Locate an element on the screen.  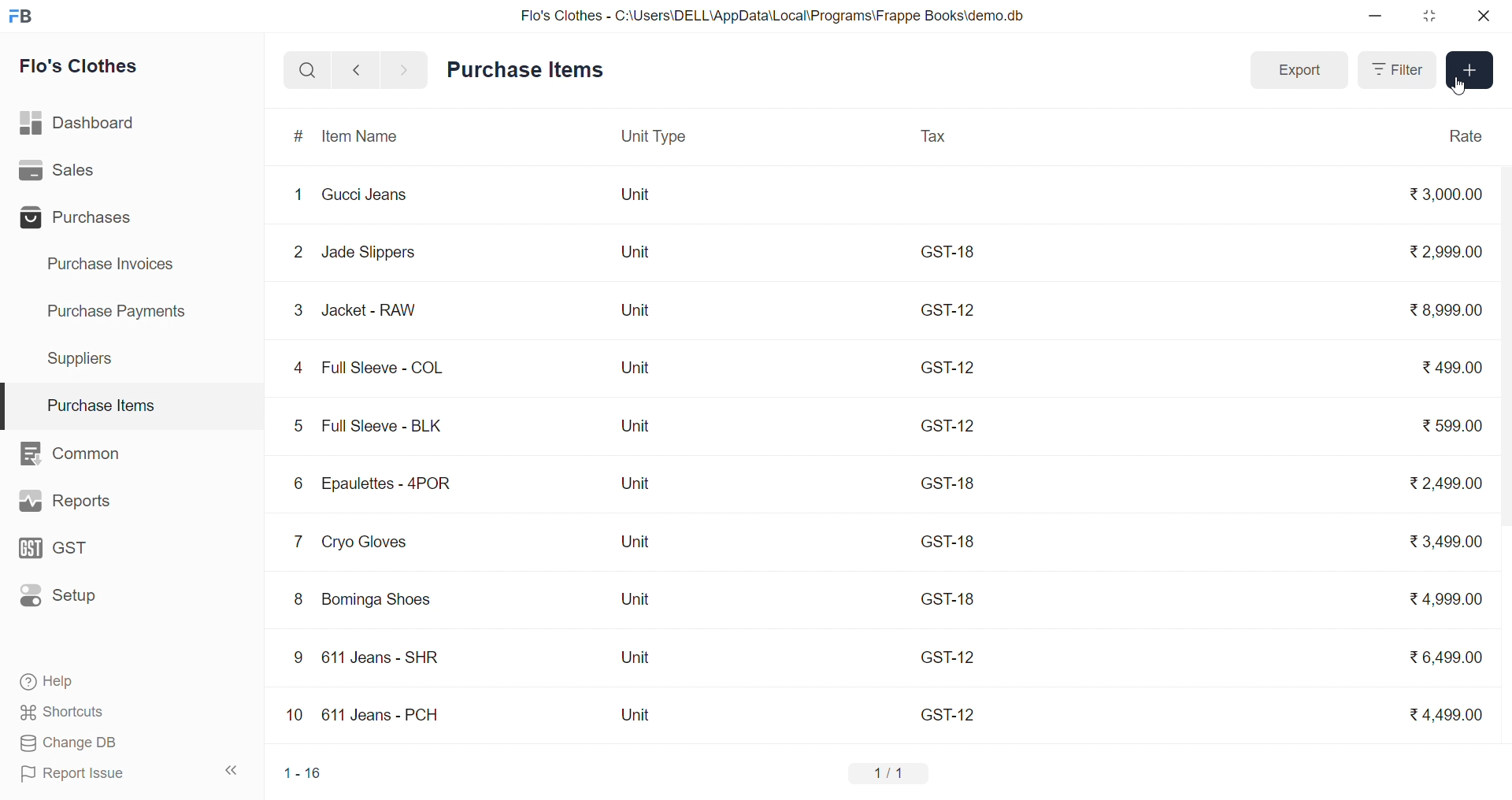
Cryo Gloves is located at coordinates (370, 541).